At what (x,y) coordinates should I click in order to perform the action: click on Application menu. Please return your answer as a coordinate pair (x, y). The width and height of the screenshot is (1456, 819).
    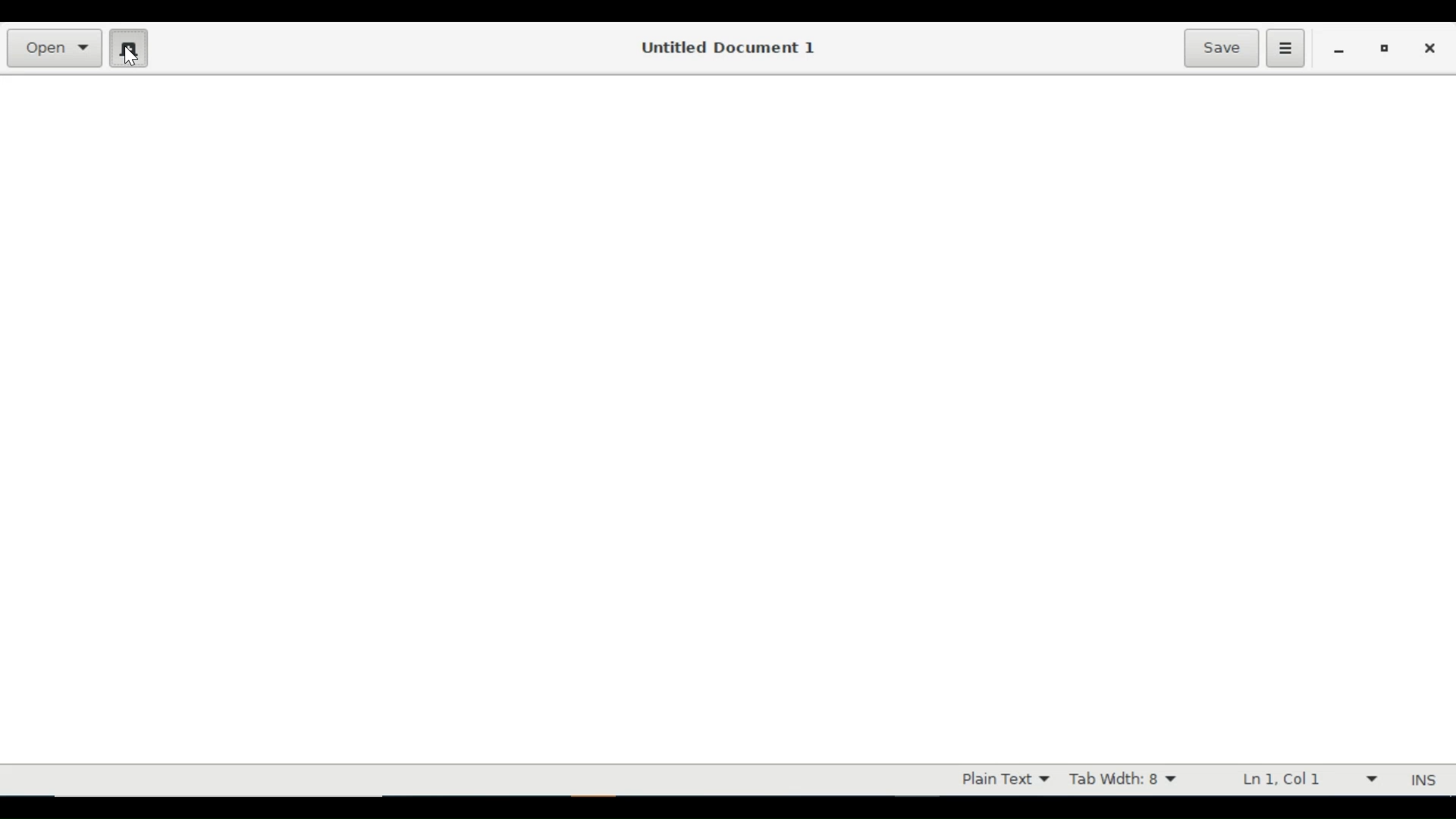
    Looking at the image, I should click on (1285, 47).